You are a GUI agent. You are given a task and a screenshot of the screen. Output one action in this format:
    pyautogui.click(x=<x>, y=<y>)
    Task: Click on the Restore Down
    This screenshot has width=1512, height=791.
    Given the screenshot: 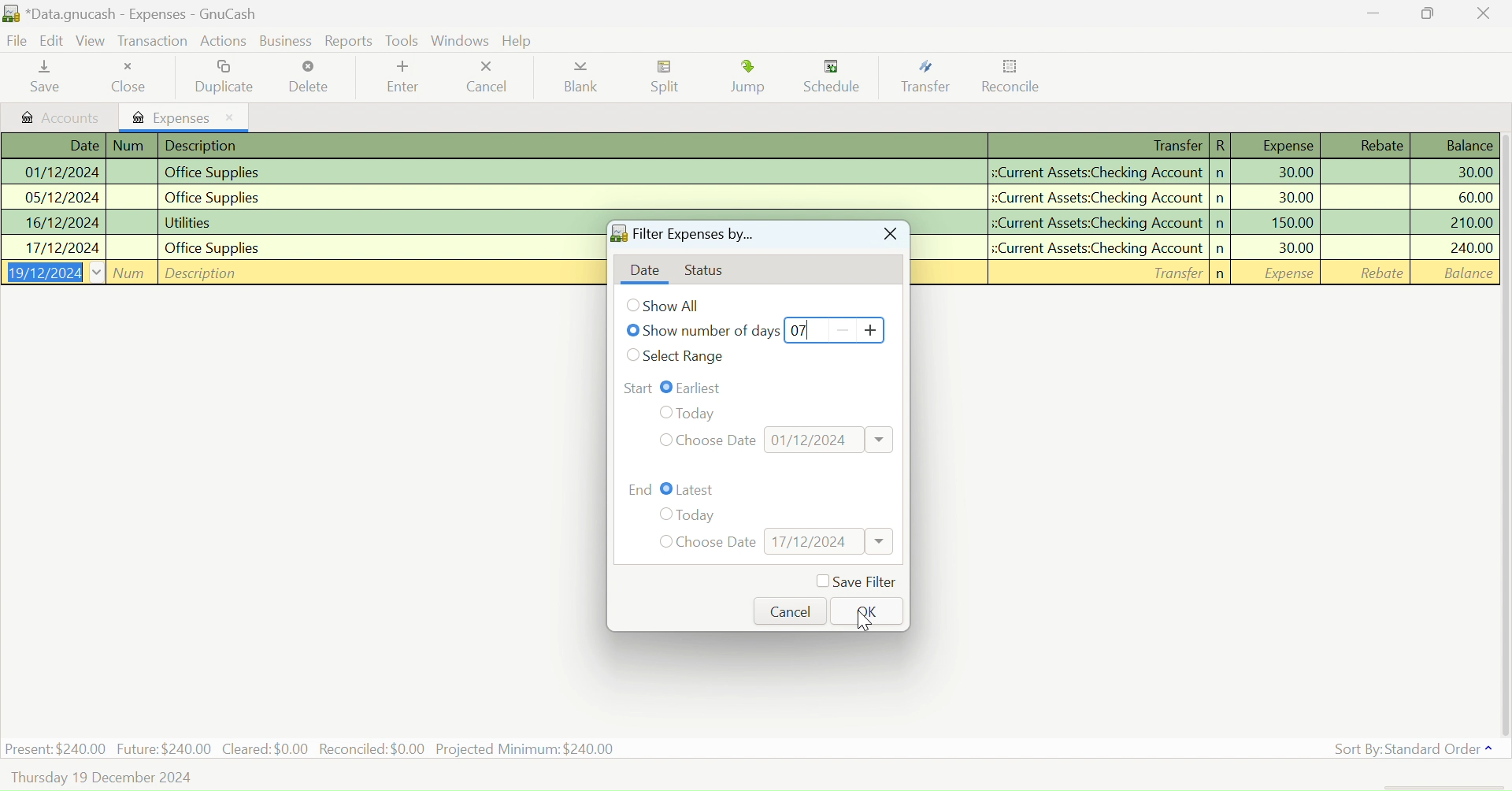 What is the action you would take?
    pyautogui.click(x=1373, y=13)
    